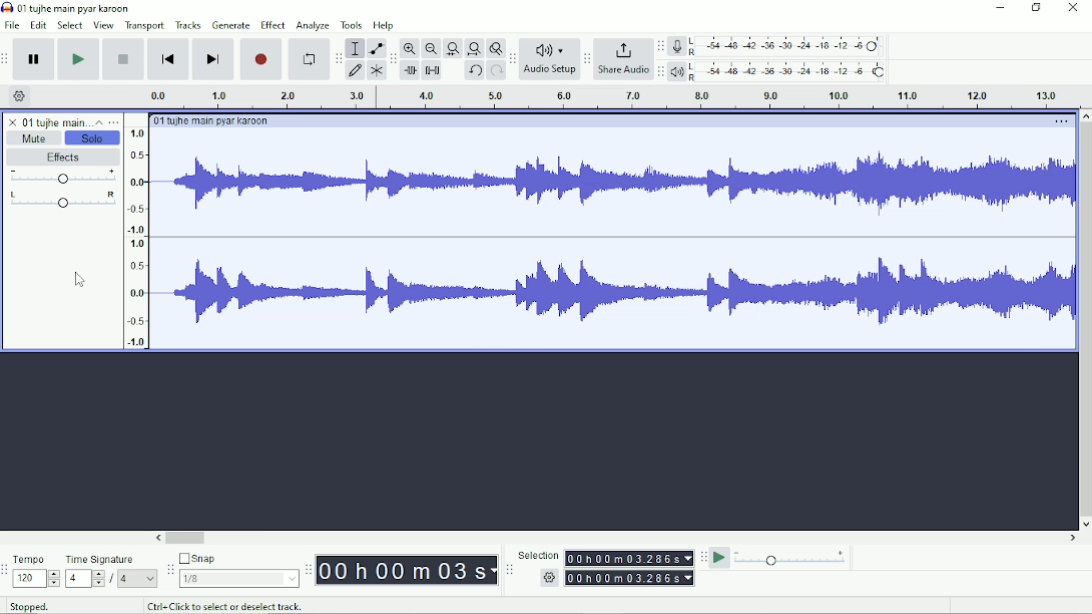  Describe the element at coordinates (393, 59) in the screenshot. I see `Audacity edit toolbar` at that location.